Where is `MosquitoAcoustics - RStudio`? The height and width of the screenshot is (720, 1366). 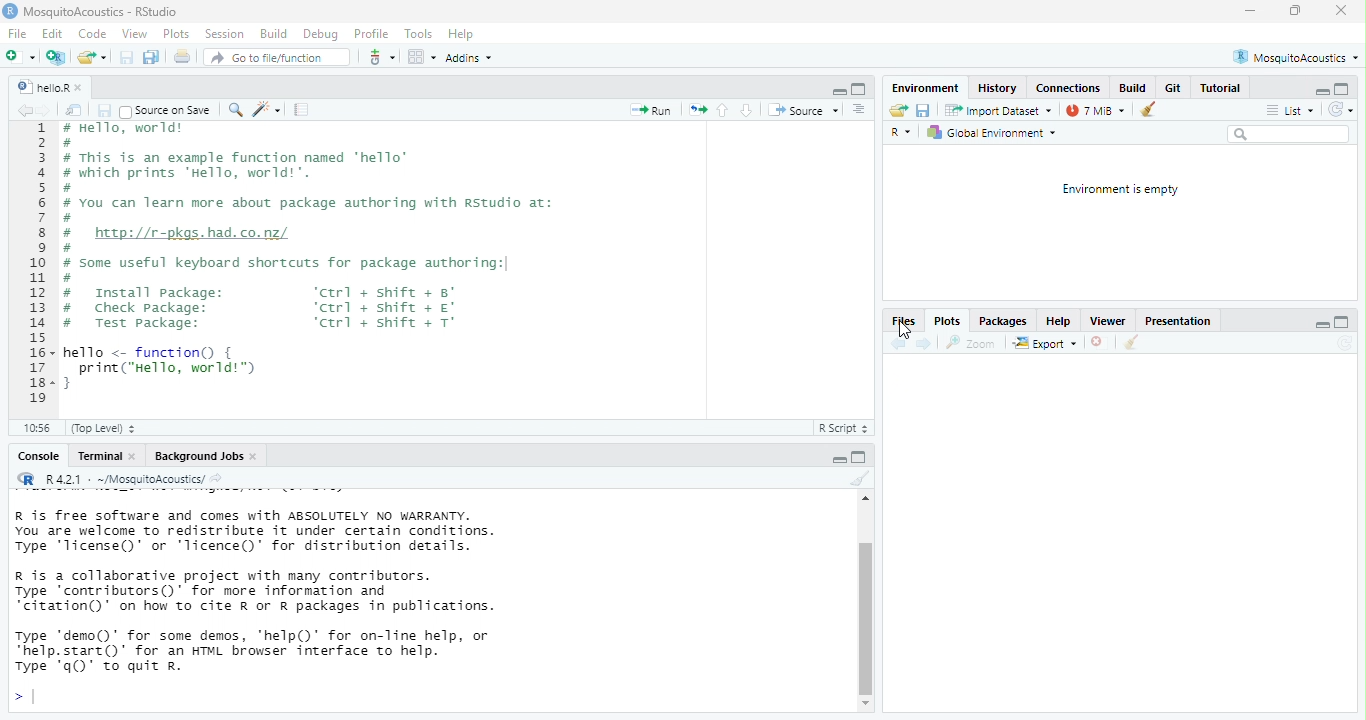
MosquitoAcoustics - RStudio is located at coordinates (104, 12).